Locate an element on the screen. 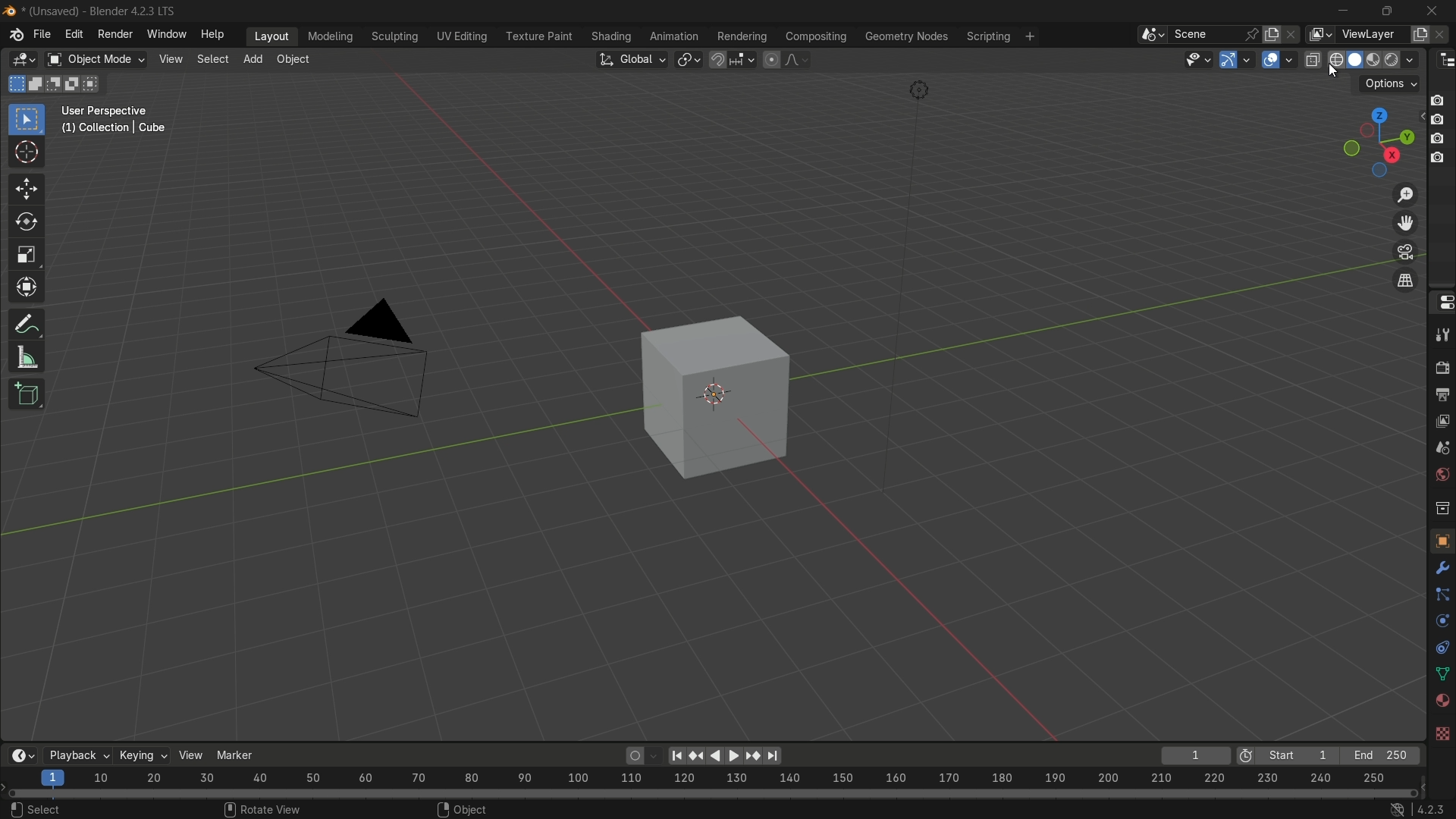 This screenshot has width=1456, height=819. previous endpoint is located at coordinates (676, 757).